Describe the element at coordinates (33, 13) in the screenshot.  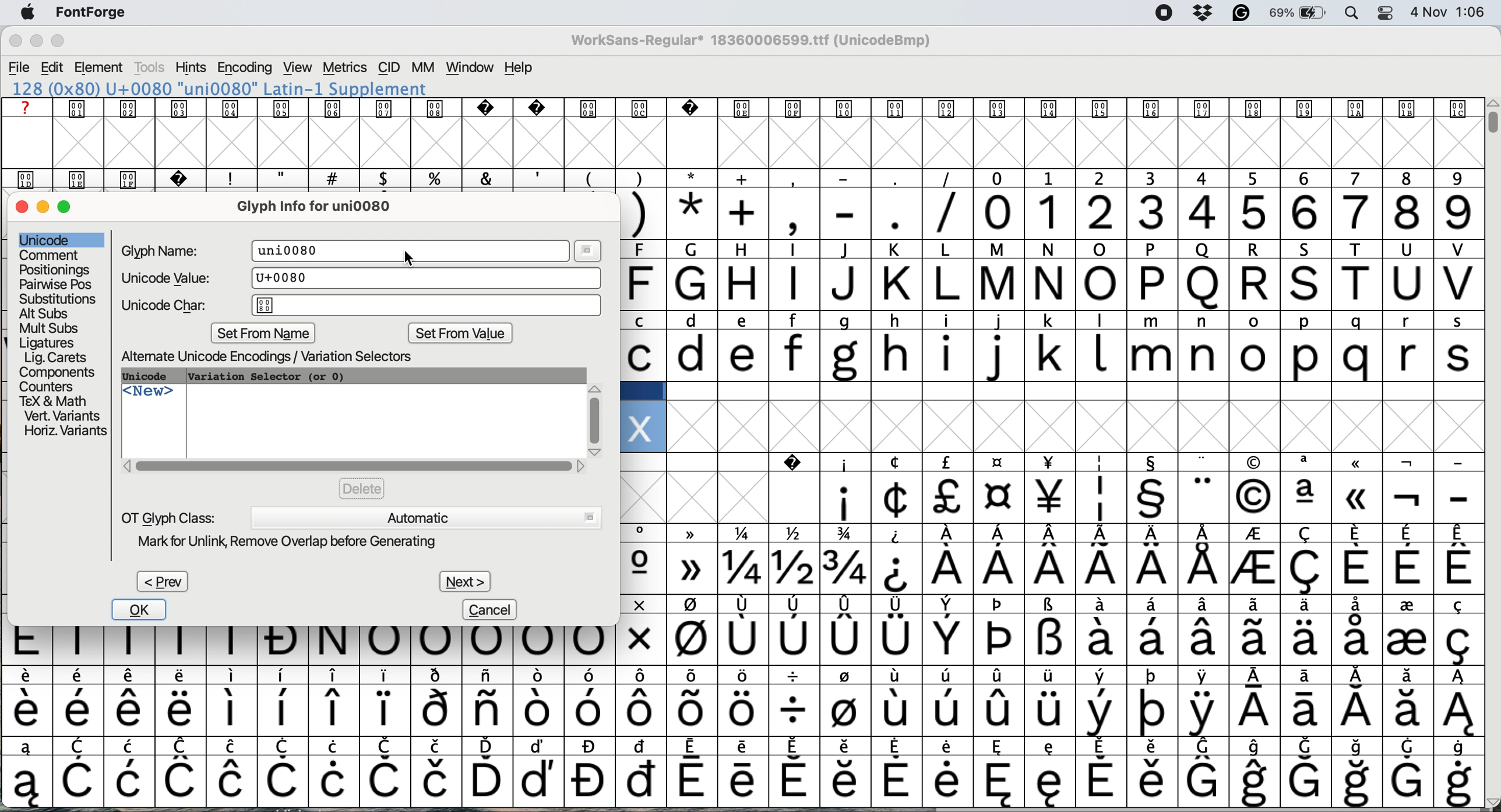
I see `system logo` at that location.